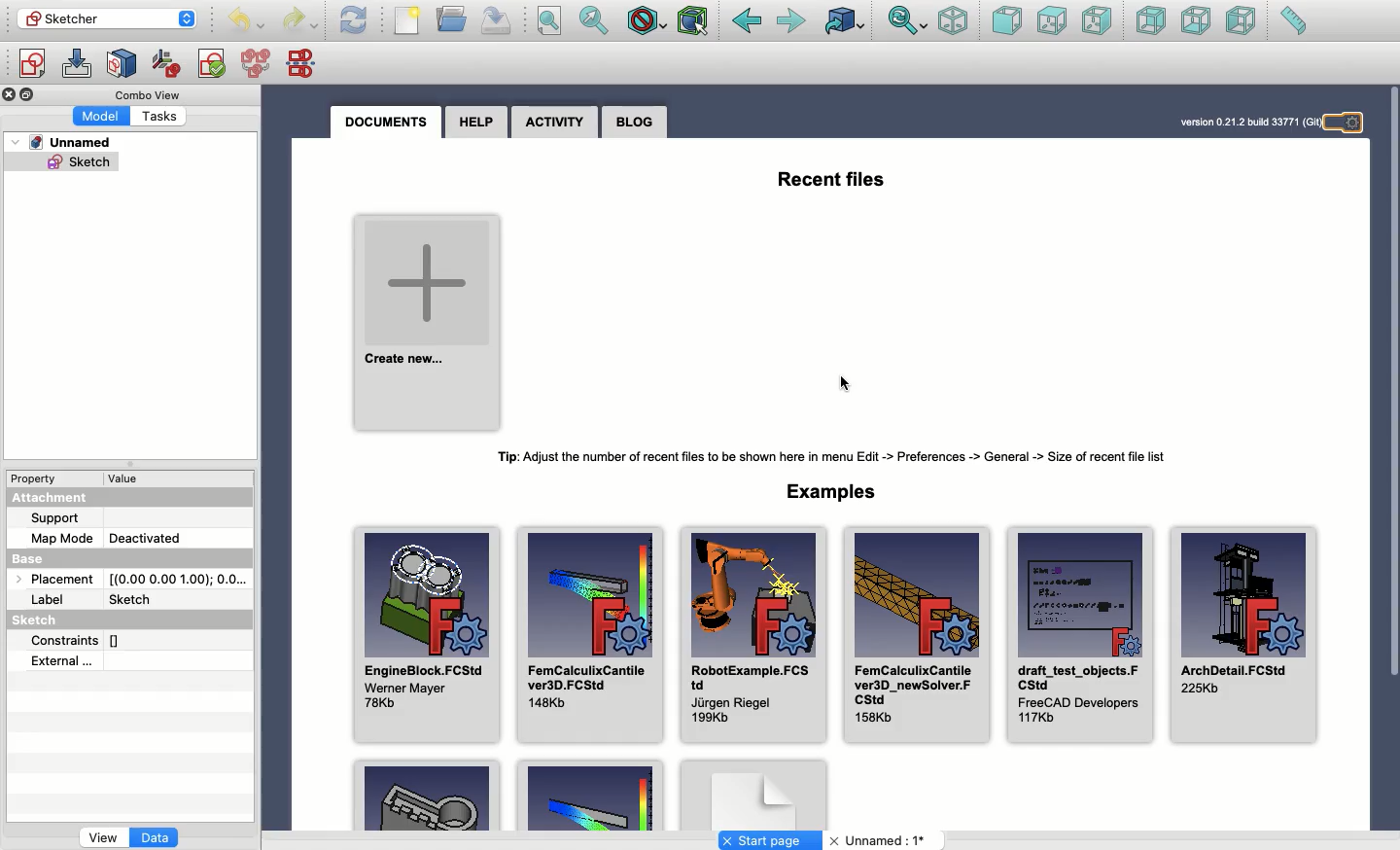  What do you see at coordinates (257, 64) in the screenshot?
I see `Merge sketches` at bounding box center [257, 64].